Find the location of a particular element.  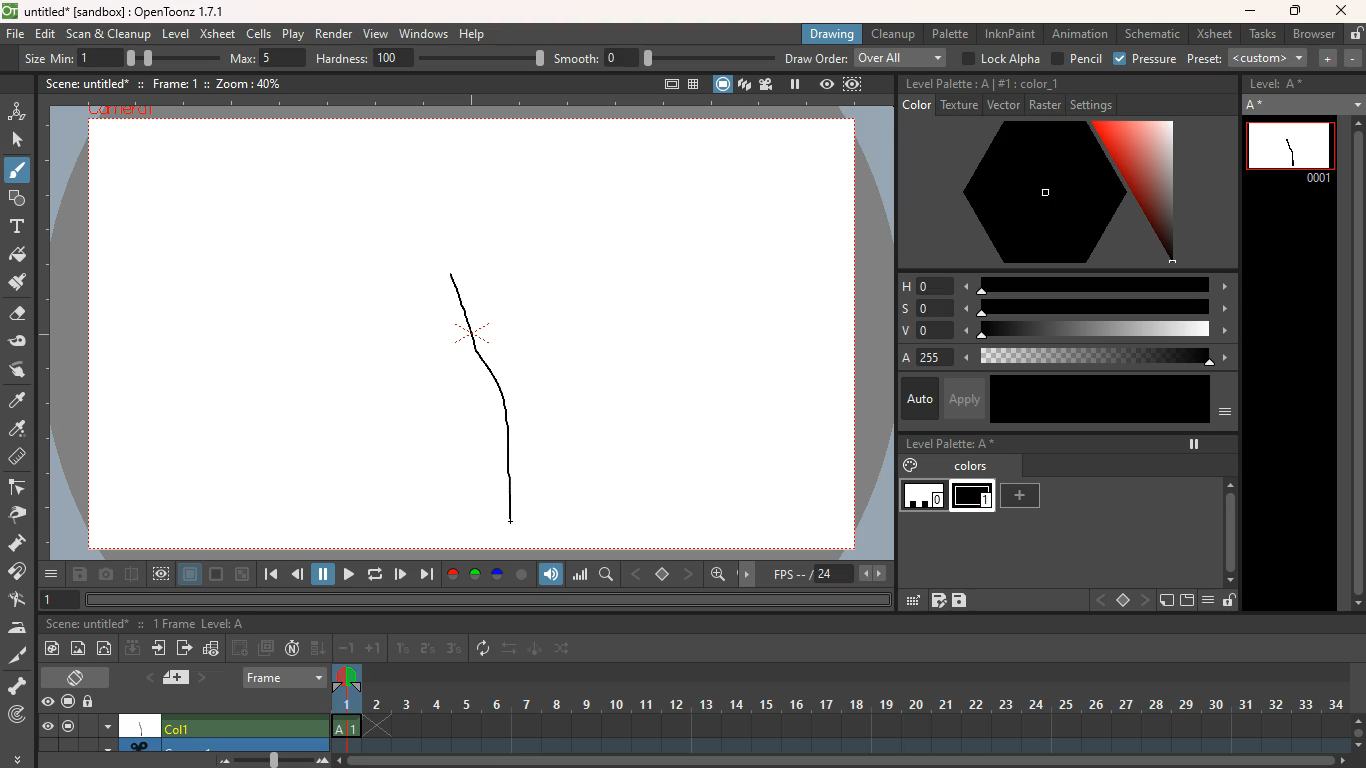

zoom is located at coordinates (267, 760).